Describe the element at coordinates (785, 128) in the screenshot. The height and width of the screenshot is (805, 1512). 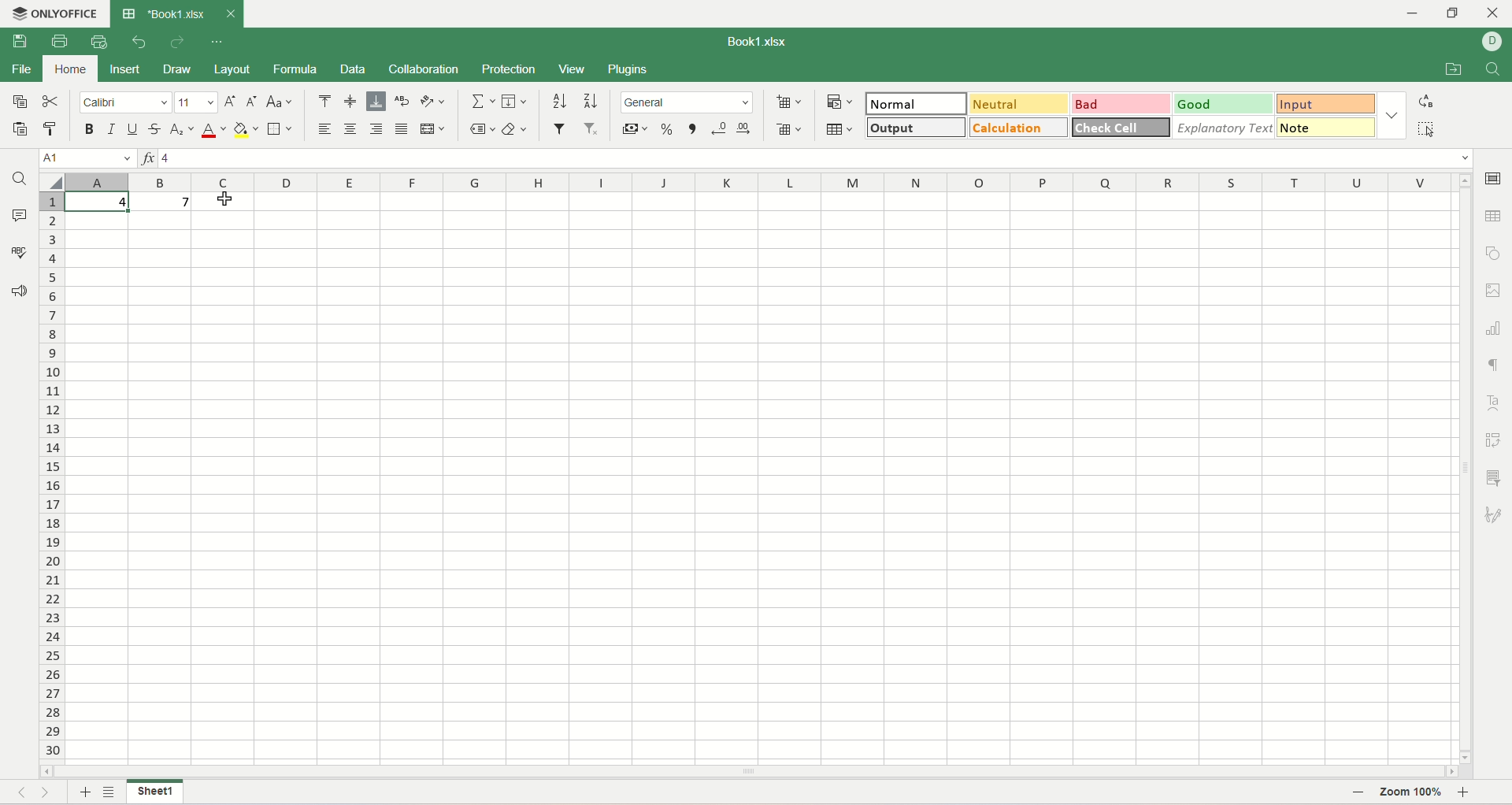
I see `remove cell` at that location.